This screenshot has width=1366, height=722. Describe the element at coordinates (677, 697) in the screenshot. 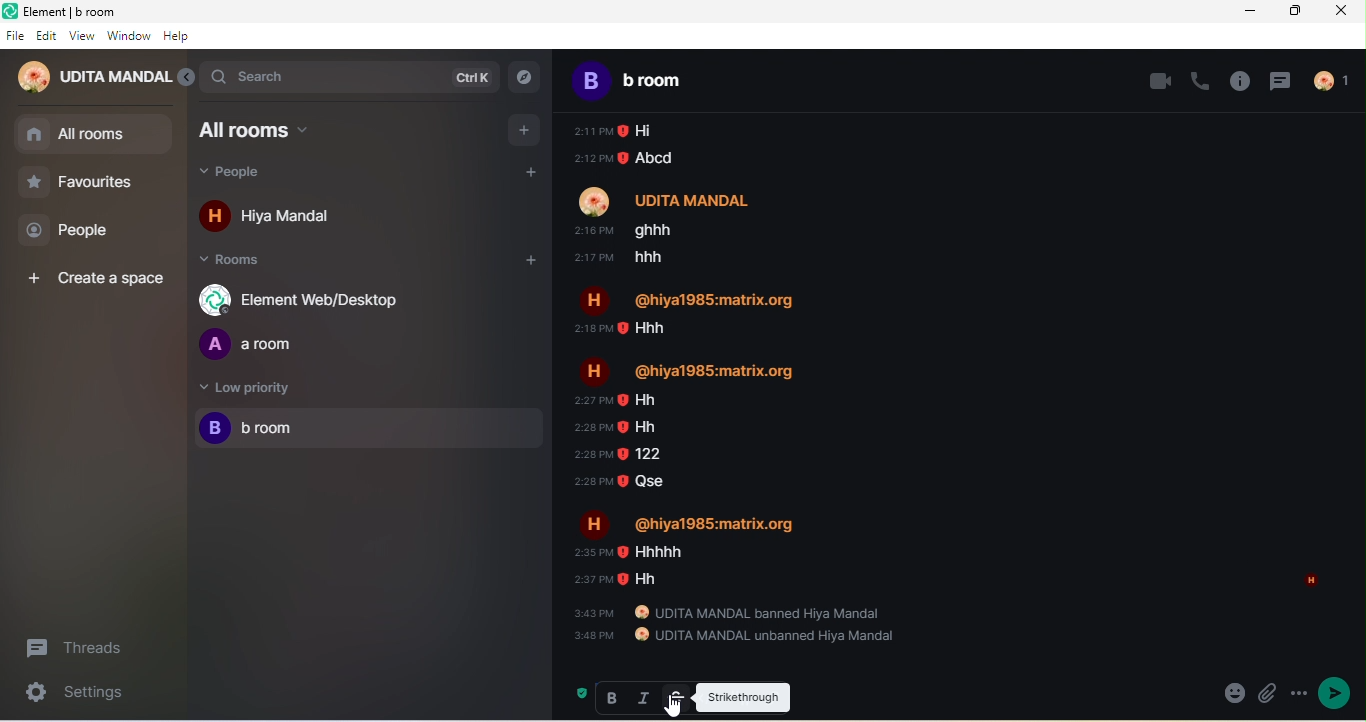

I see `strikethrough` at that location.